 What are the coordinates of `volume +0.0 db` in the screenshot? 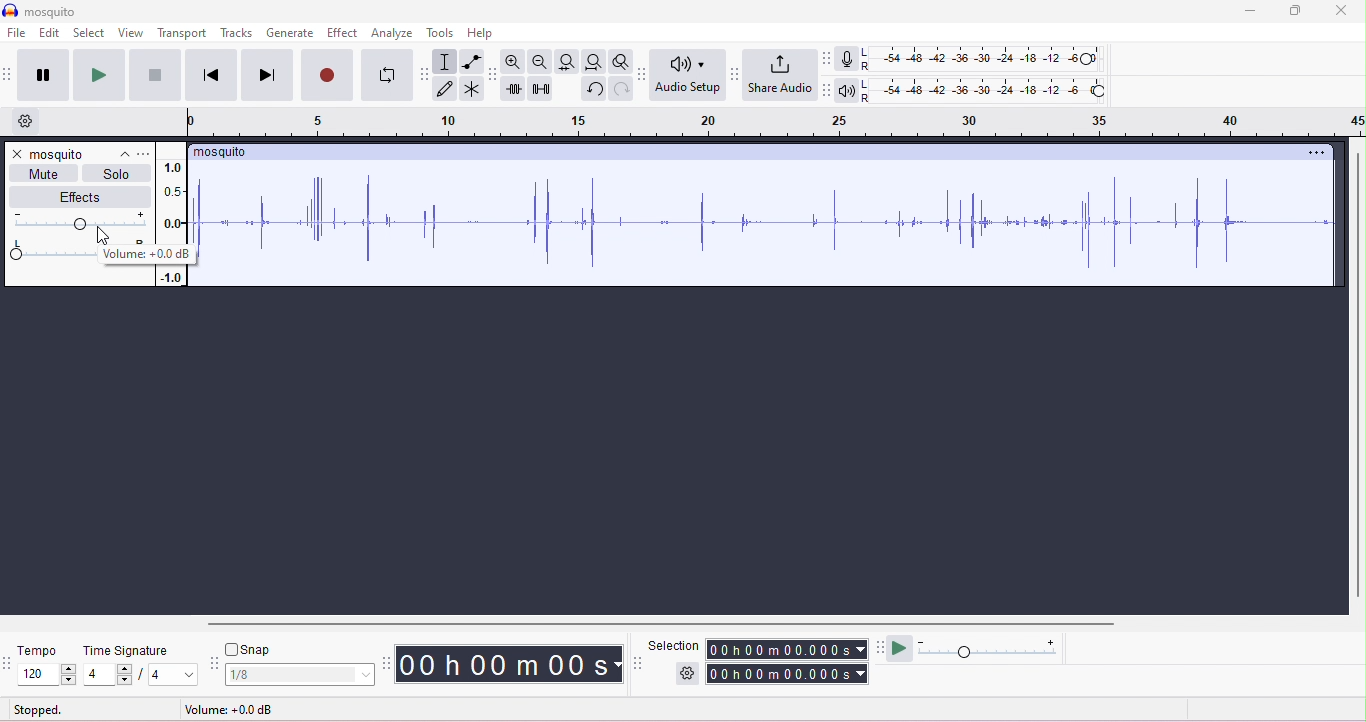 It's located at (146, 255).